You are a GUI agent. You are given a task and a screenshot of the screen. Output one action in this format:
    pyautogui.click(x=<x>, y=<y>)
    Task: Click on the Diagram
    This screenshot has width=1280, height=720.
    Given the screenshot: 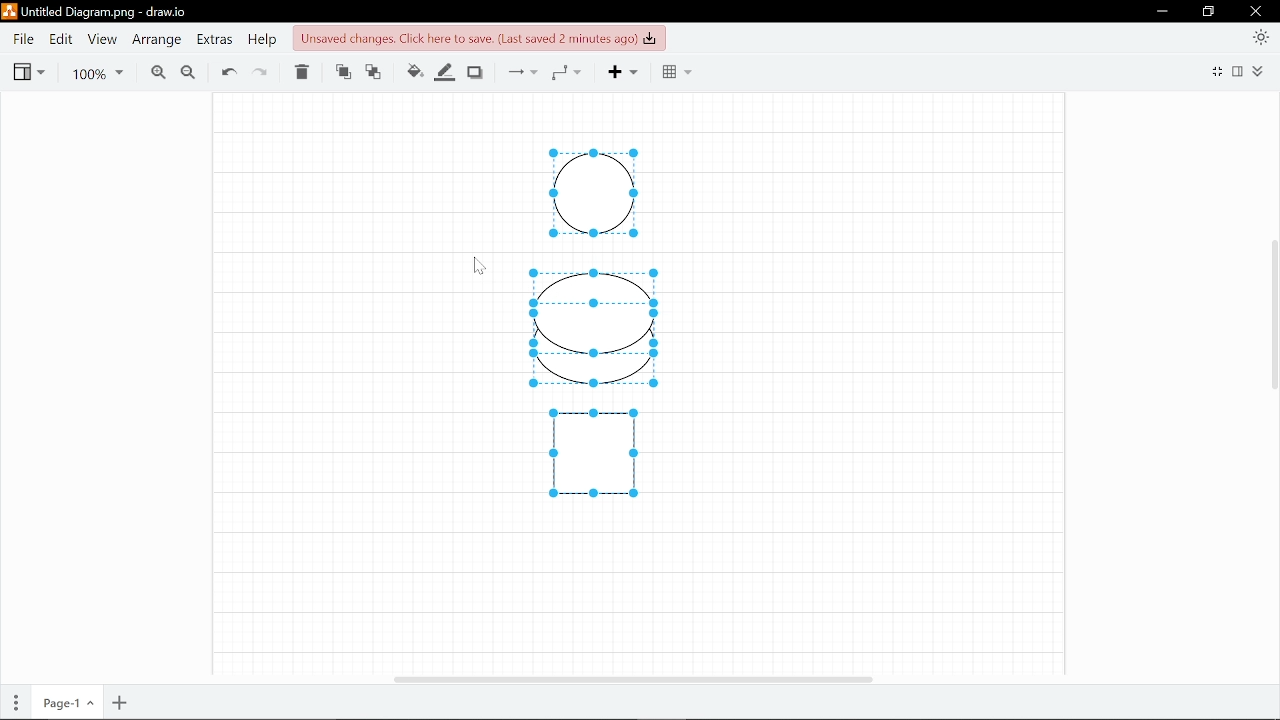 What is the action you would take?
    pyautogui.click(x=593, y=191)
    